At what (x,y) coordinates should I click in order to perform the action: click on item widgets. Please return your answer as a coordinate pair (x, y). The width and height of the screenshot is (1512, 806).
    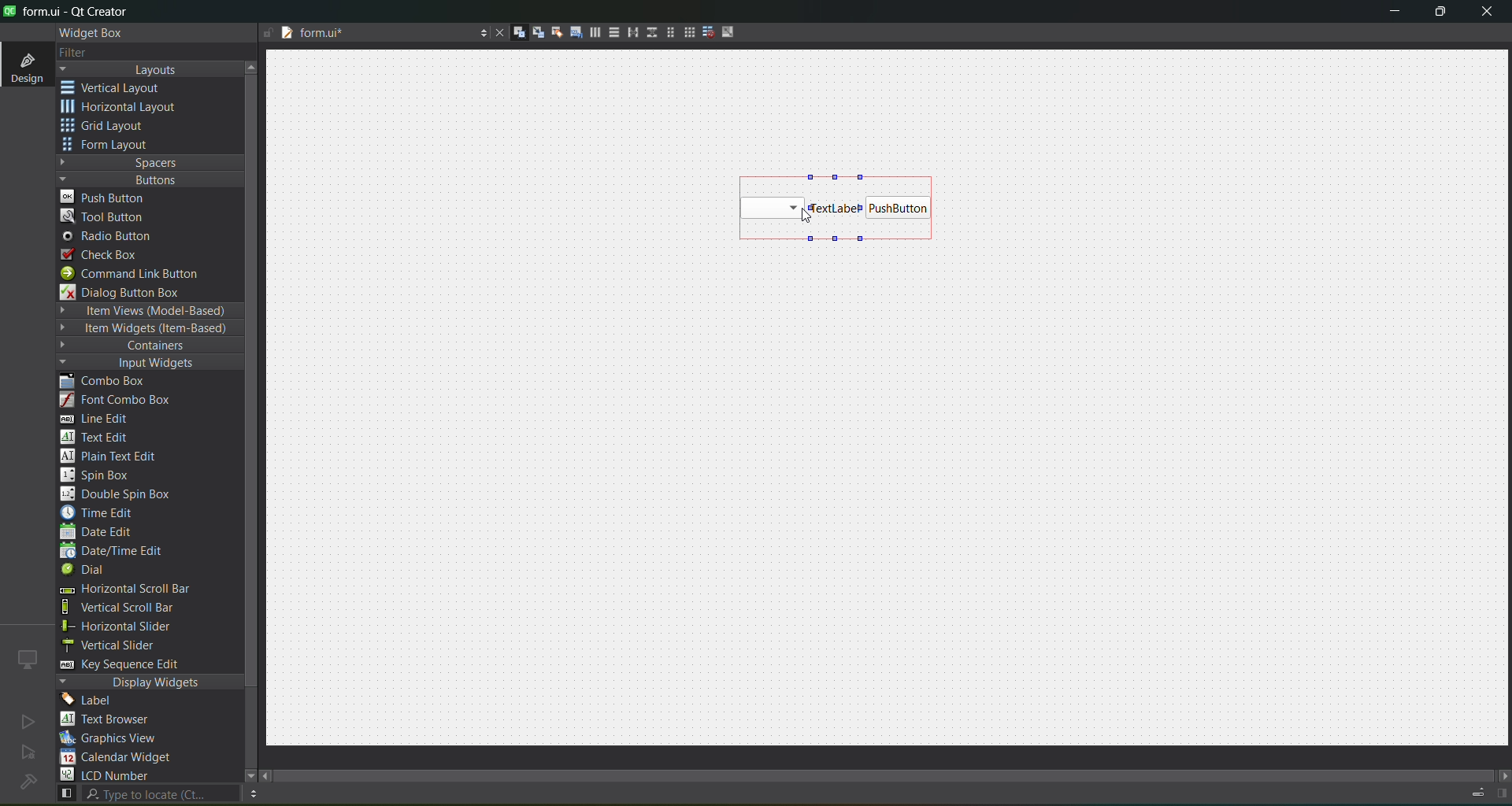
    Looking at the image, I should click on (146, 329).